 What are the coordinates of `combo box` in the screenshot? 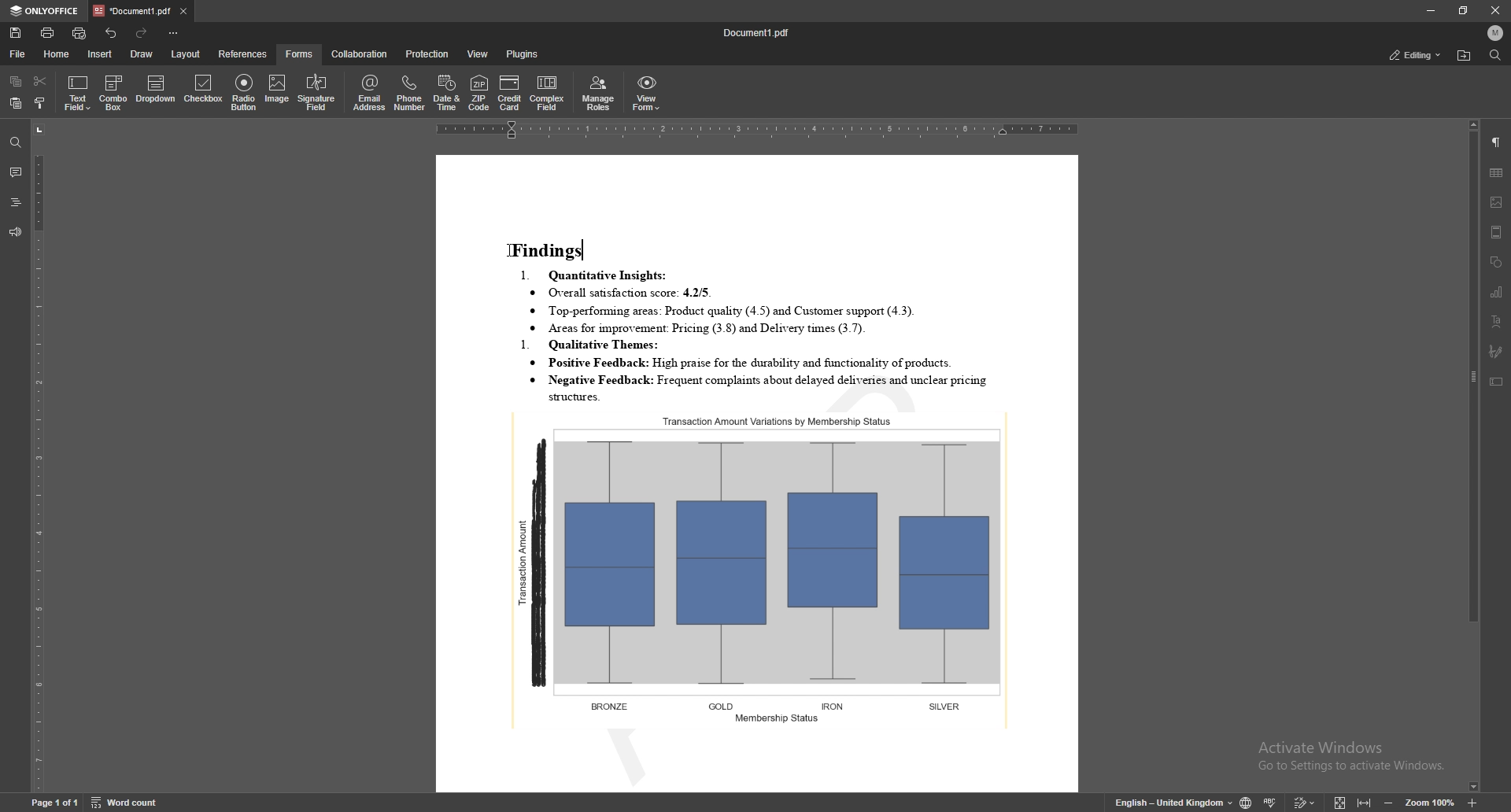 It's located at (115, 92).